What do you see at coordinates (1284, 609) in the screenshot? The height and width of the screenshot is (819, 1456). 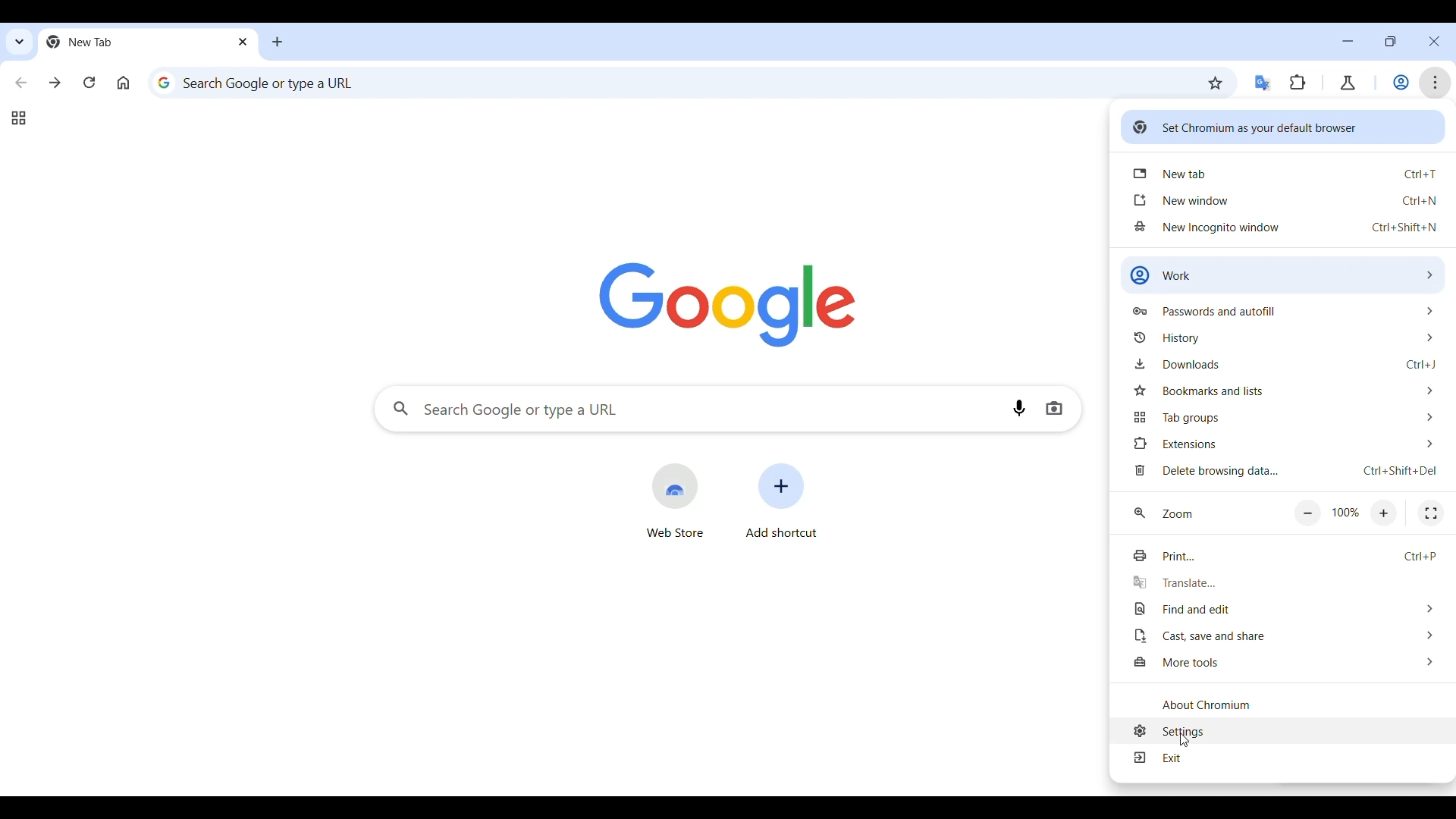 I see `Find and edit` at bounding box center [1284, 609].